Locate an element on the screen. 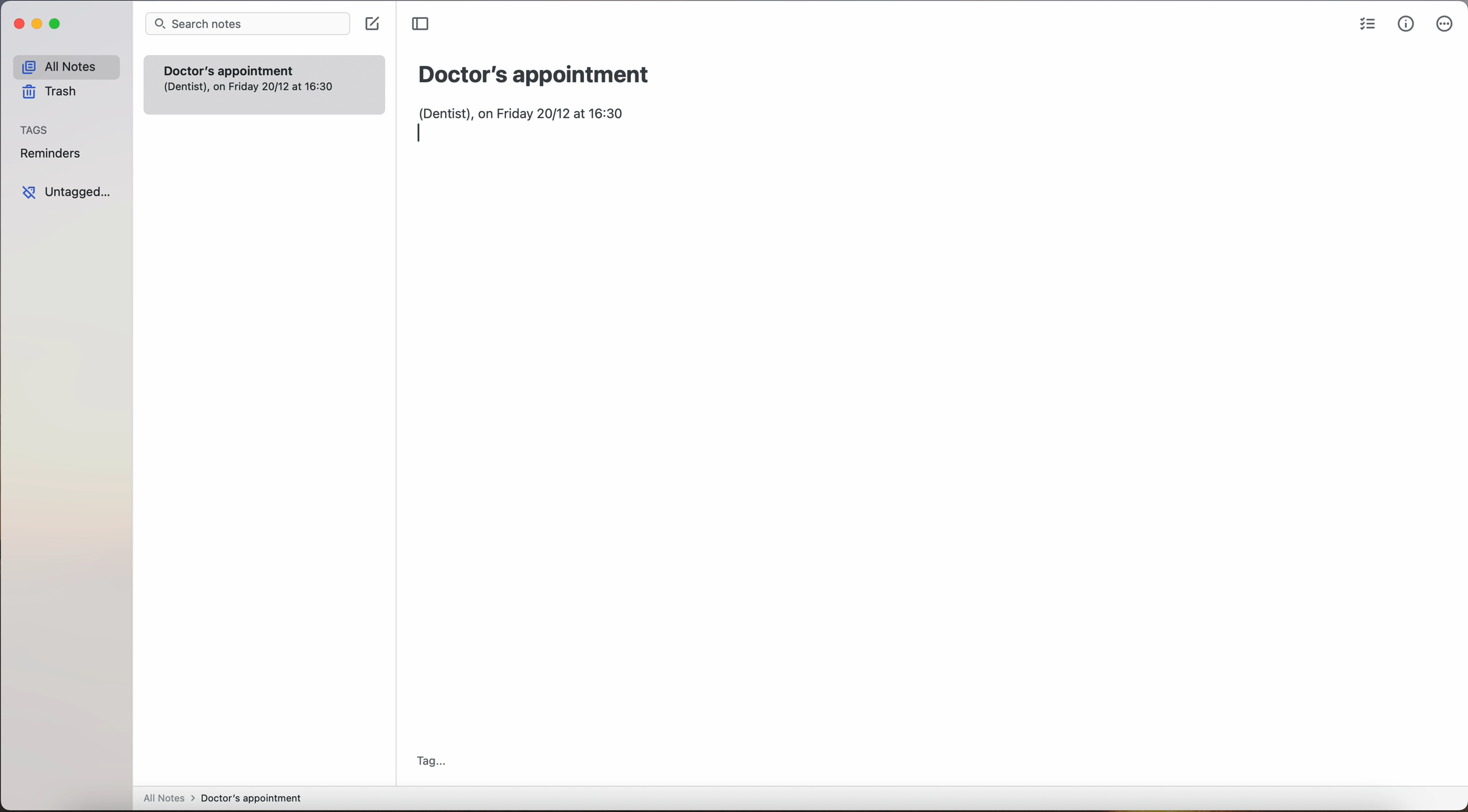 The image size is (1468, 812). reminders is located at coordinates (51, 153).